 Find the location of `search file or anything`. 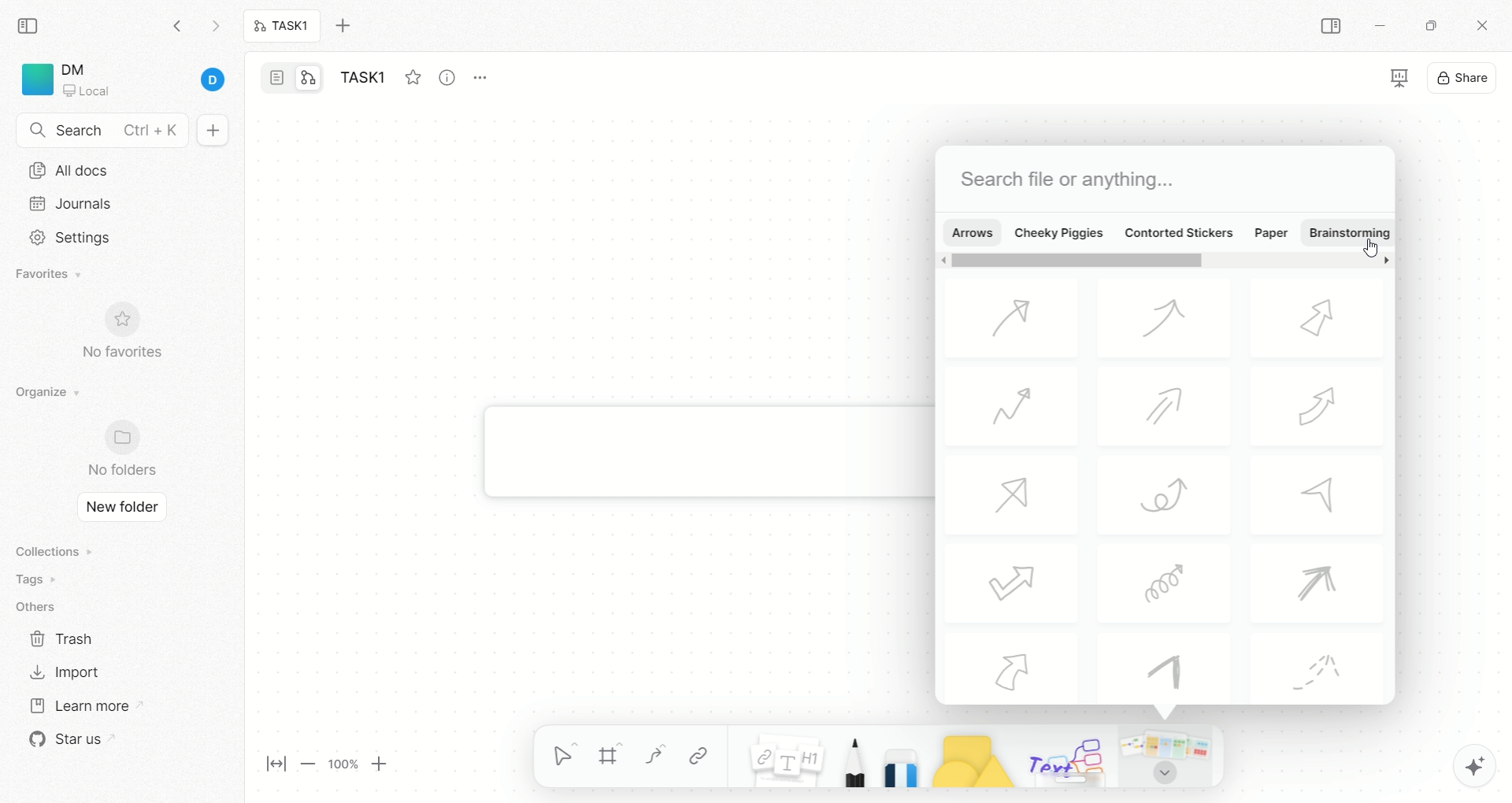

search file or anything is located at coordinates (1065, 180).